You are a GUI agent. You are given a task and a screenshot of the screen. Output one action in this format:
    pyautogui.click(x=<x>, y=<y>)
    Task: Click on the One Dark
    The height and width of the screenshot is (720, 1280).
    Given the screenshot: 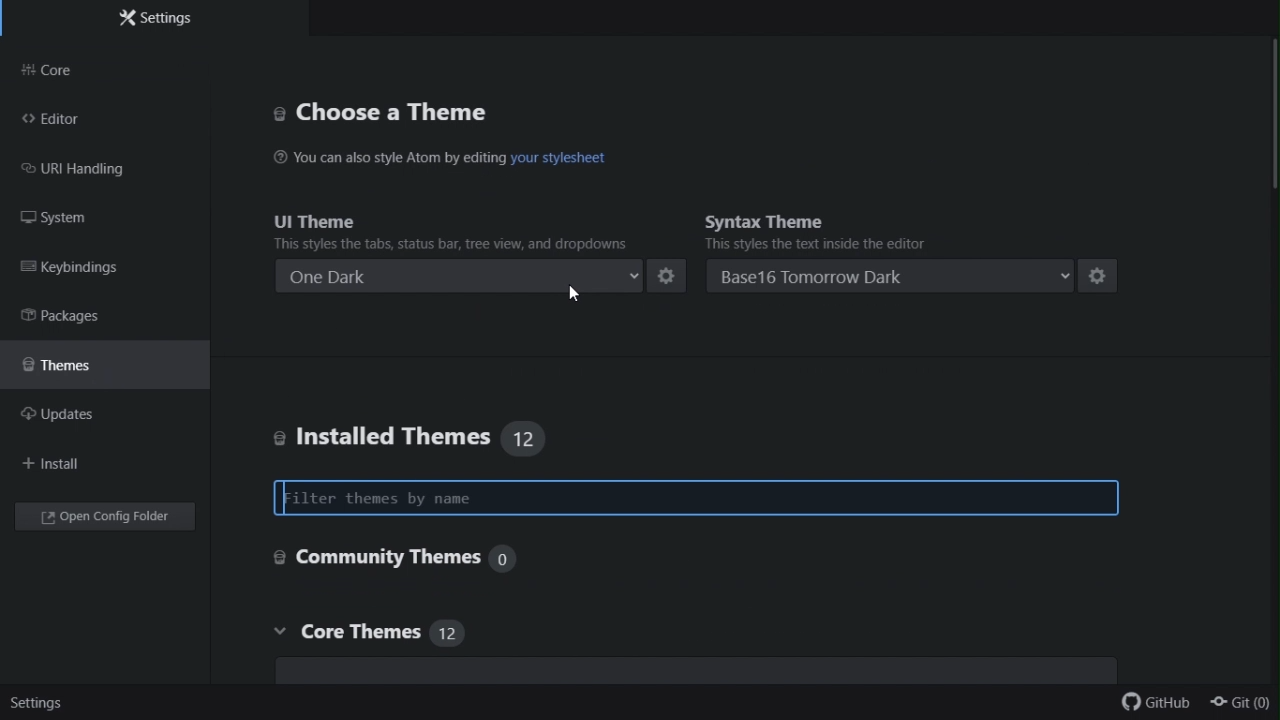 What is the action you would take?
    pyautogui.click(x=461, y=276)
    